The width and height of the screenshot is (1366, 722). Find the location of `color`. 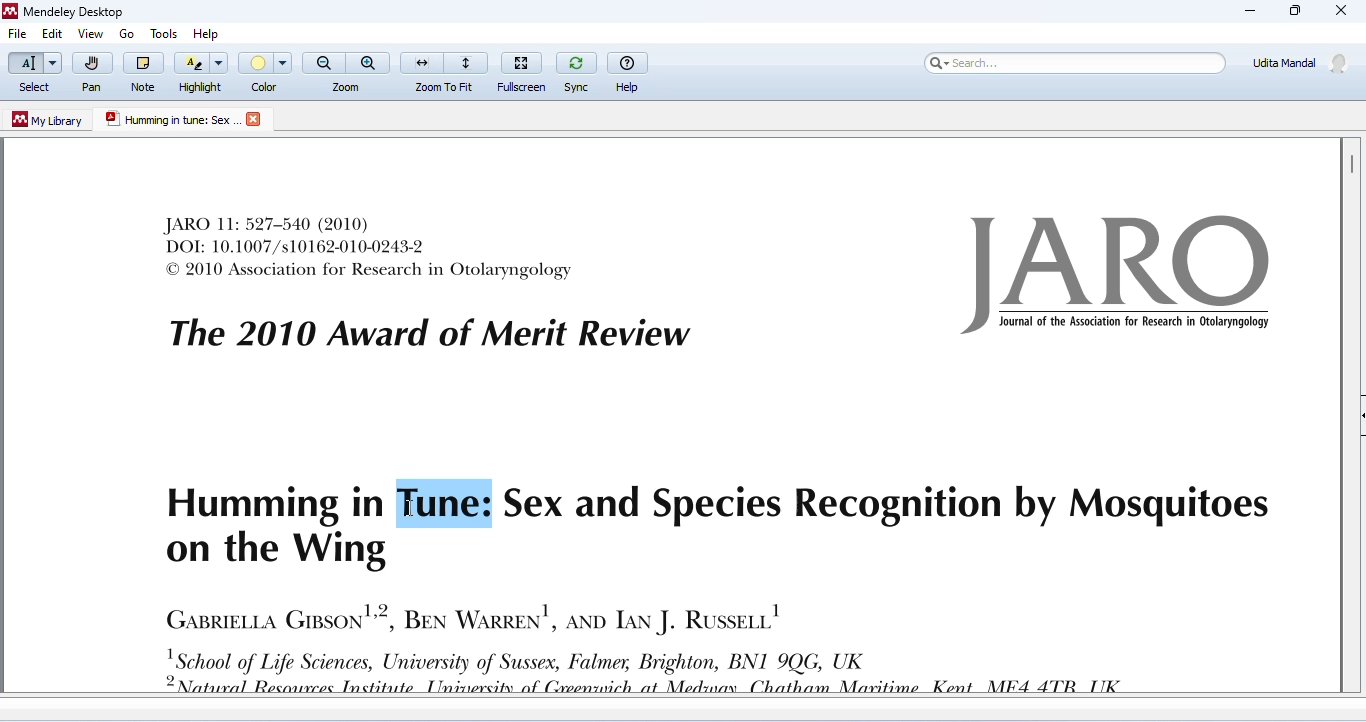

color is located at coordinates (267, 72).